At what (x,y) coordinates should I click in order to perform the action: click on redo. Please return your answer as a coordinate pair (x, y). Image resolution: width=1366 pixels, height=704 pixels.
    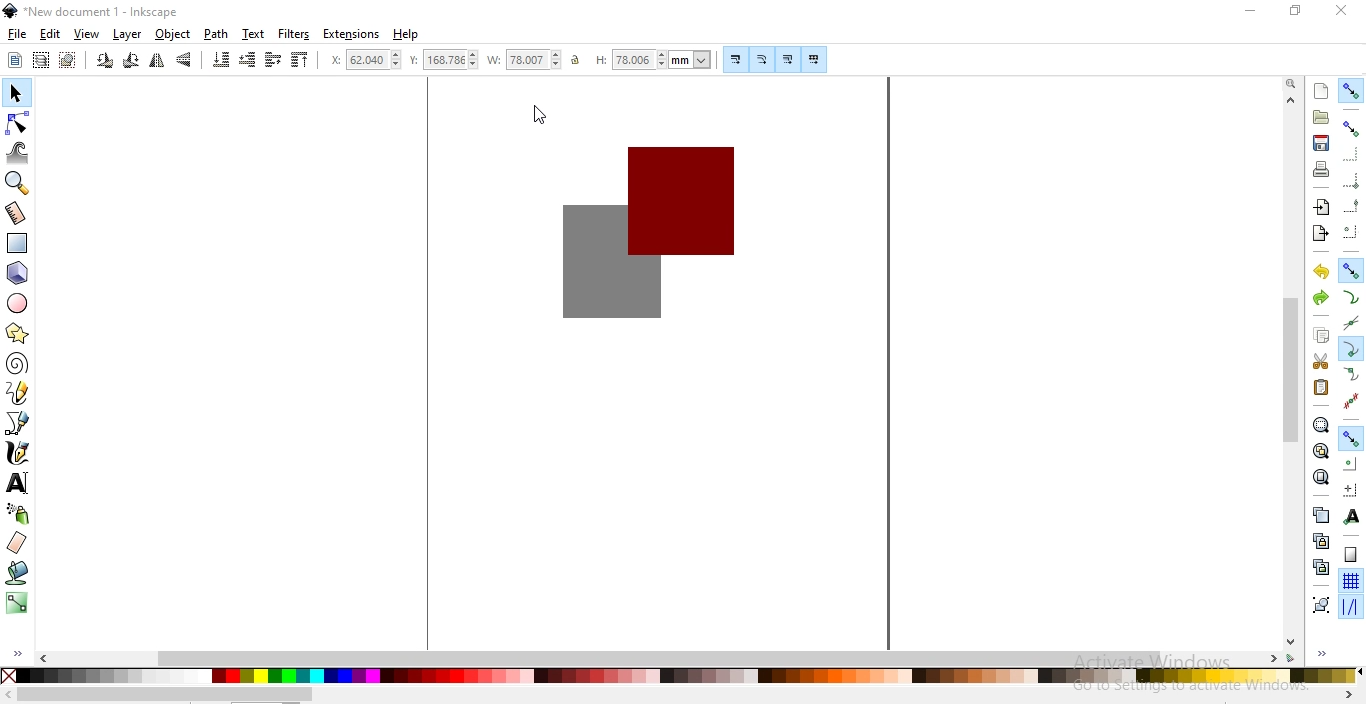
    Looking at the image, I should click on (1320, 297).